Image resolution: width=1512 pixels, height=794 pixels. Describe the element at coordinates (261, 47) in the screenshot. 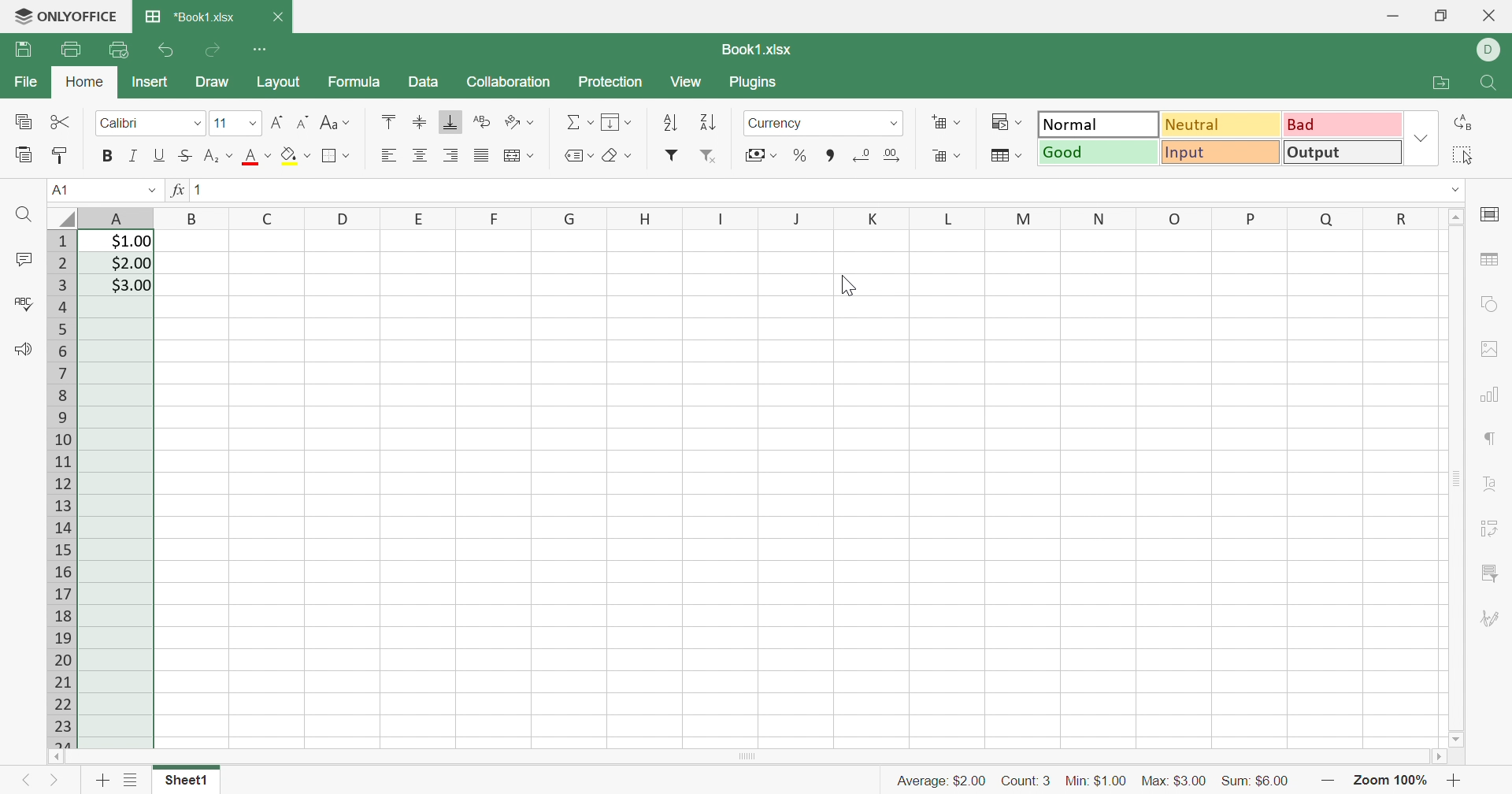

I see `Customize Quick Access Toolbar` at that location.